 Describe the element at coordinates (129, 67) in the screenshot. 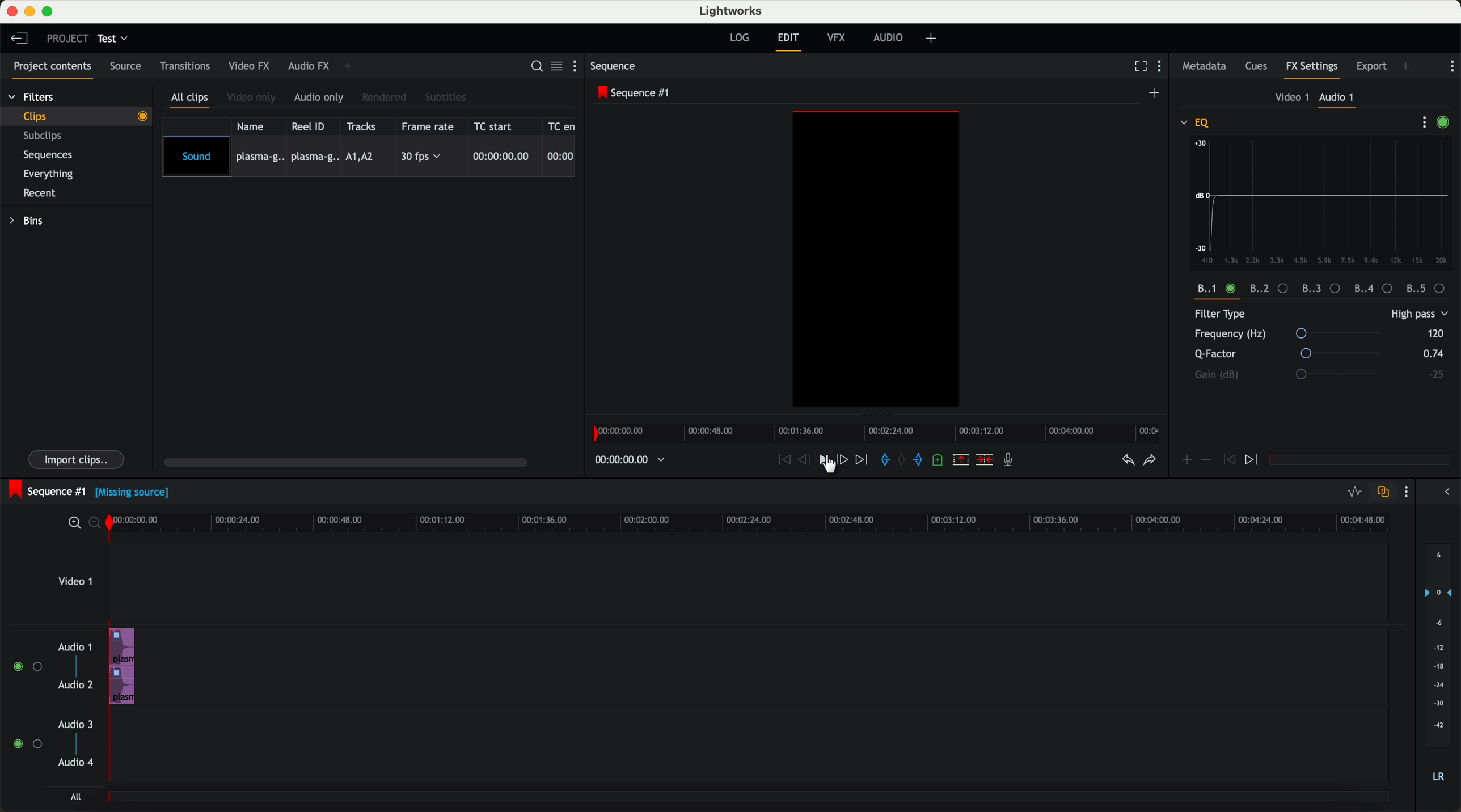

I see `source` at that location.